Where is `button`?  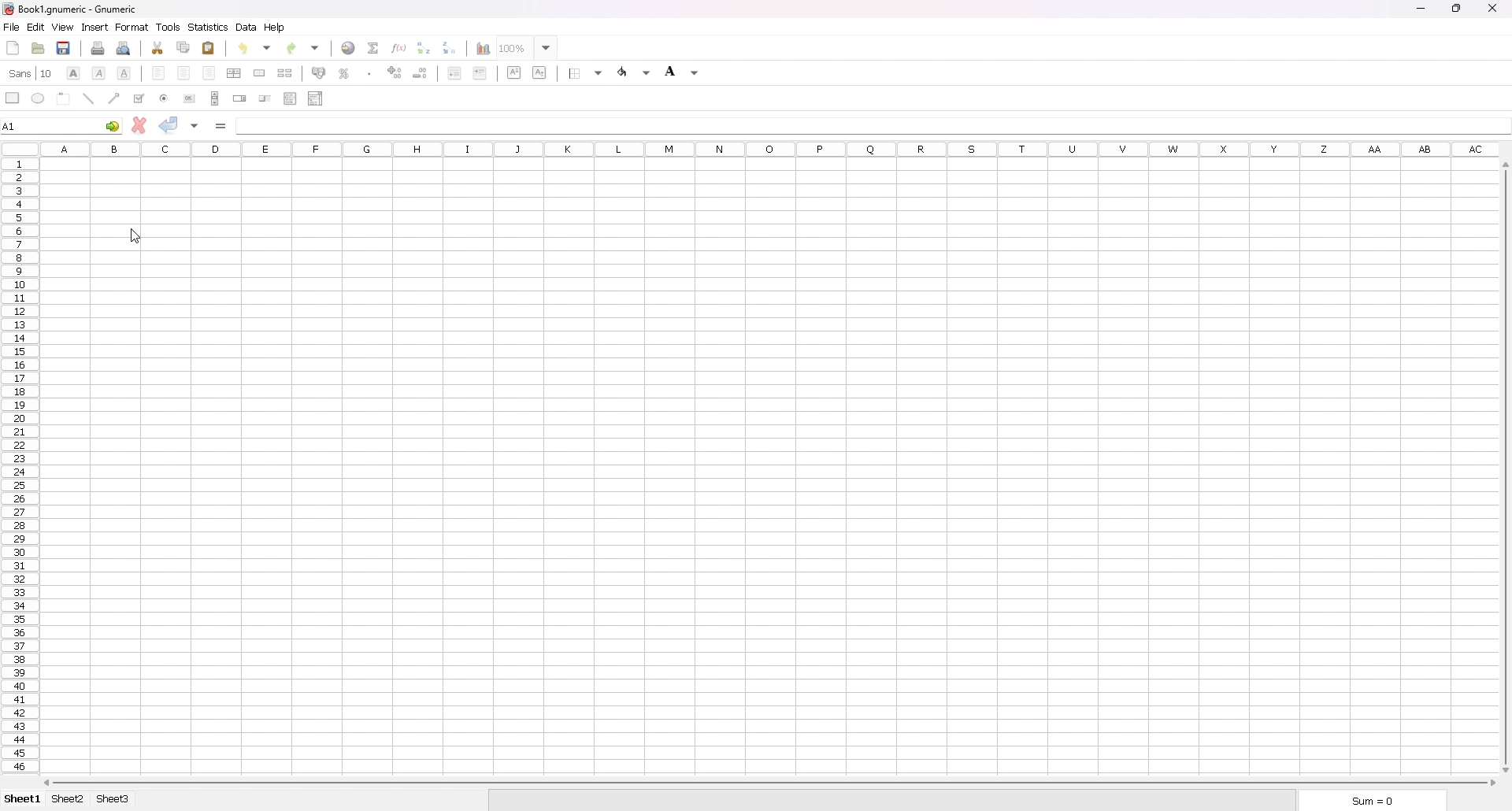 button is located at coordinates (190, 98).